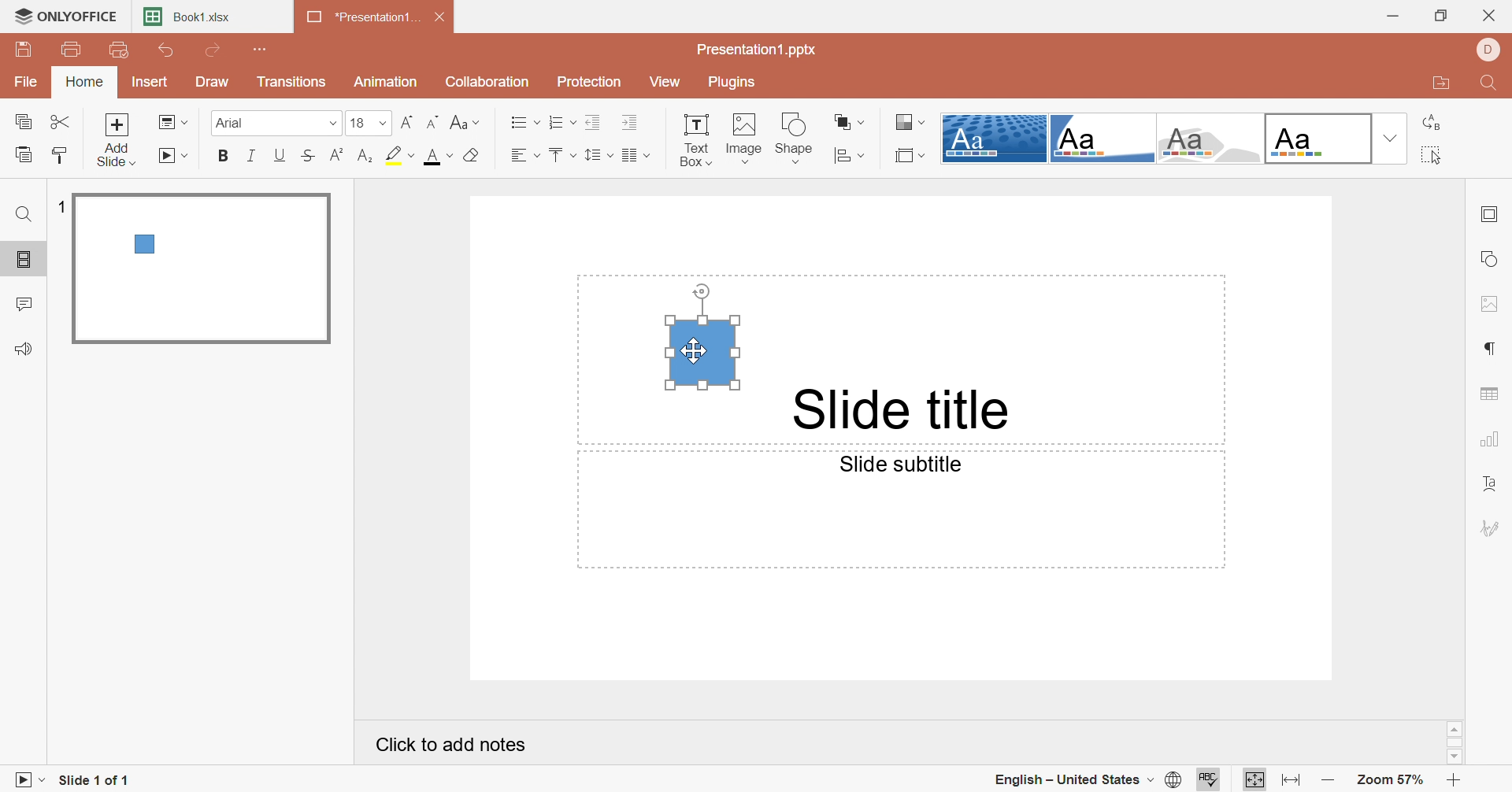 This screenshot has width=1512, height=792. What do you see at coordinates (1254, 780) in the screenshot?
I see `Fit to slide` at bounding box center [1254, 780].